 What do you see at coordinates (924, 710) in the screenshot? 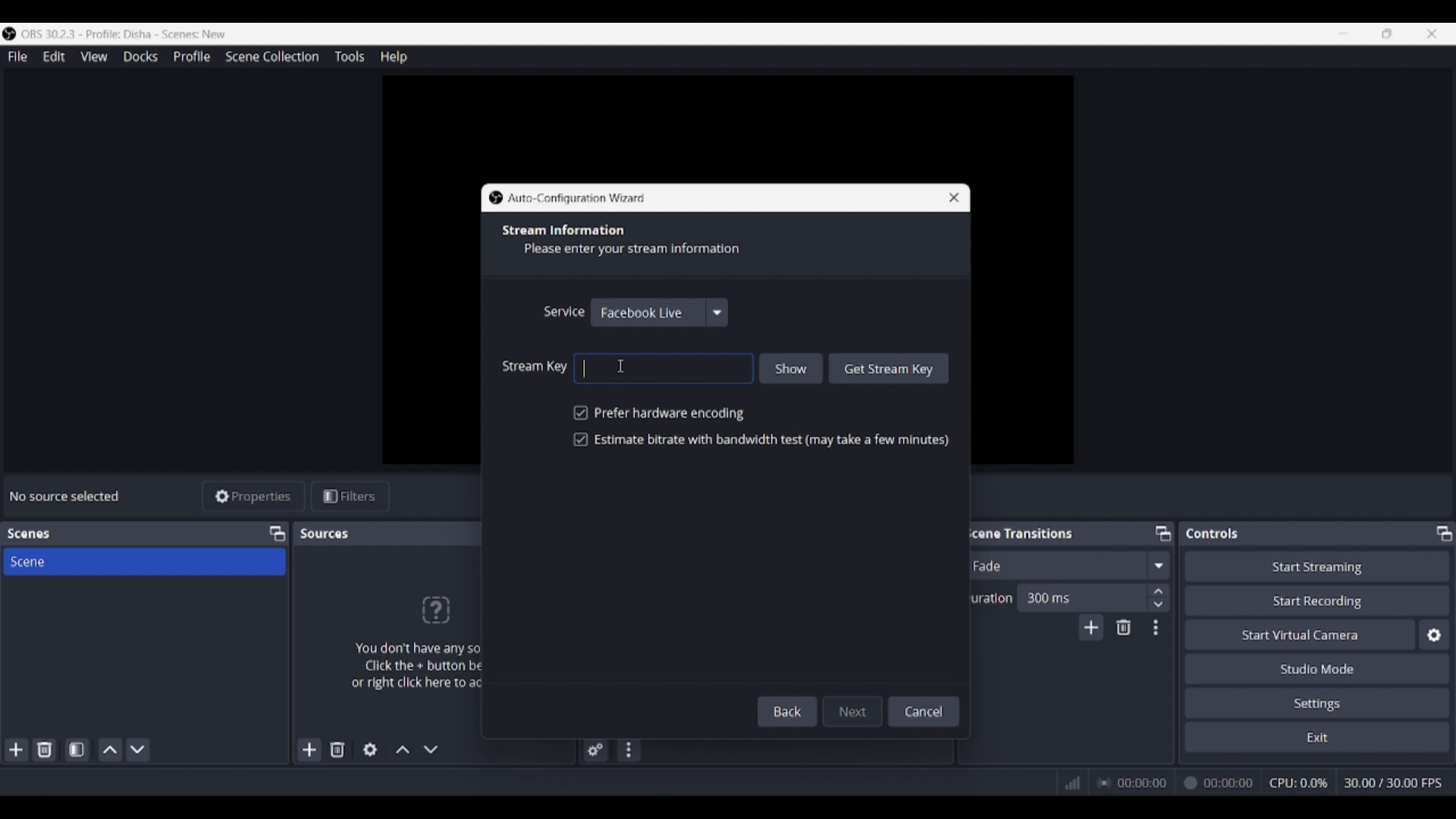
I see `Cancel` at bounding box center [924, 710].